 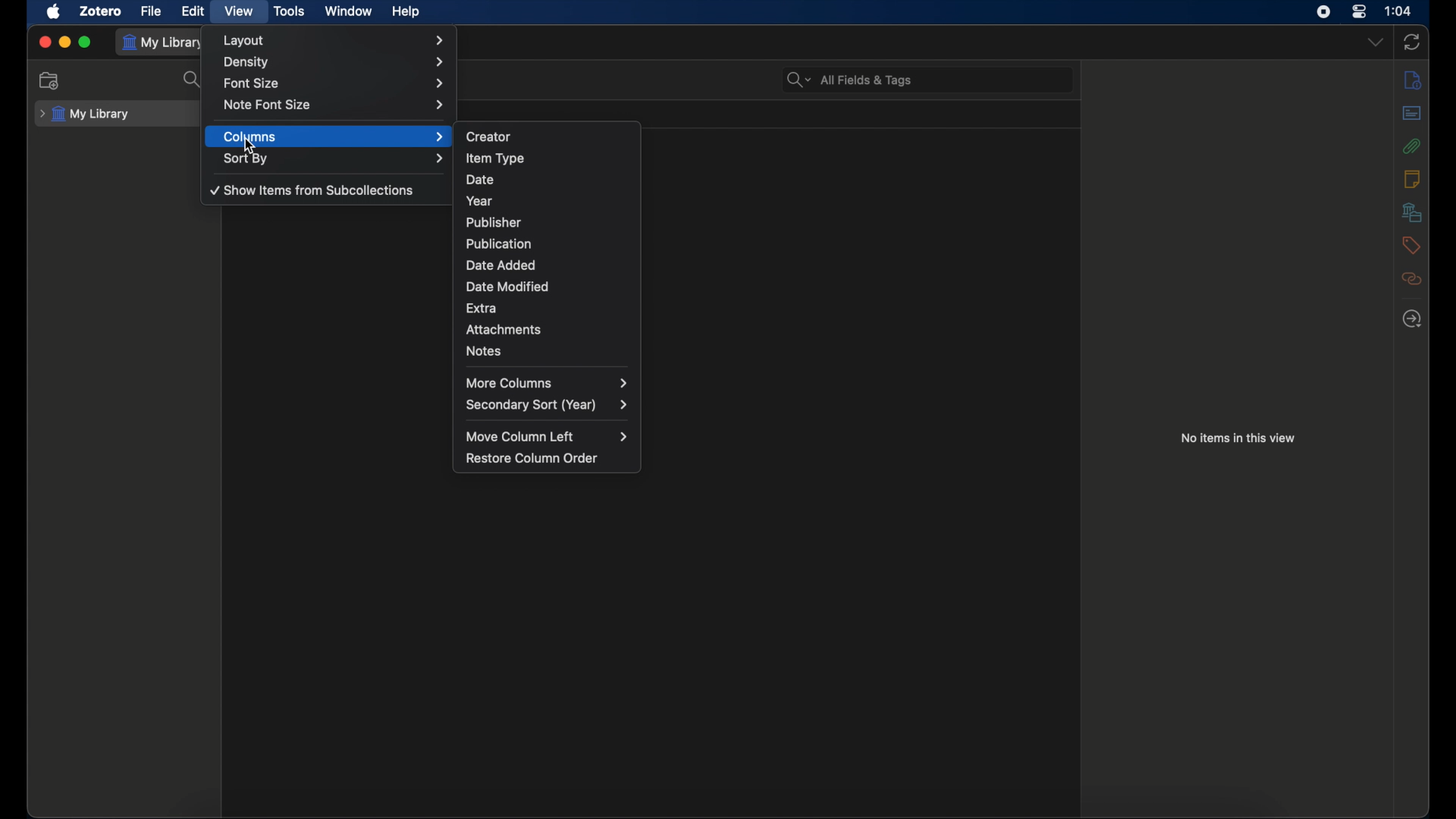 I want to click on restore column order, so click(x=532, y=457).